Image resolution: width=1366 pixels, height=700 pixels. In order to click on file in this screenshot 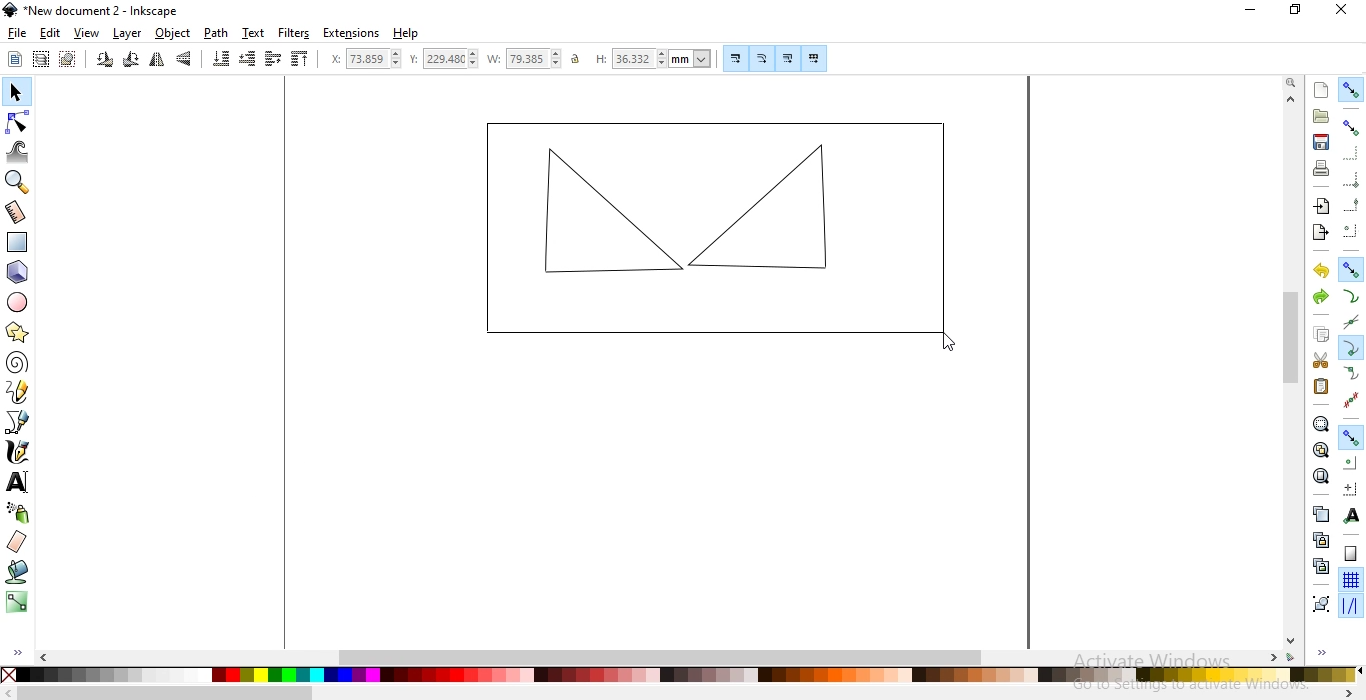, I will do `click(17, 34)`.